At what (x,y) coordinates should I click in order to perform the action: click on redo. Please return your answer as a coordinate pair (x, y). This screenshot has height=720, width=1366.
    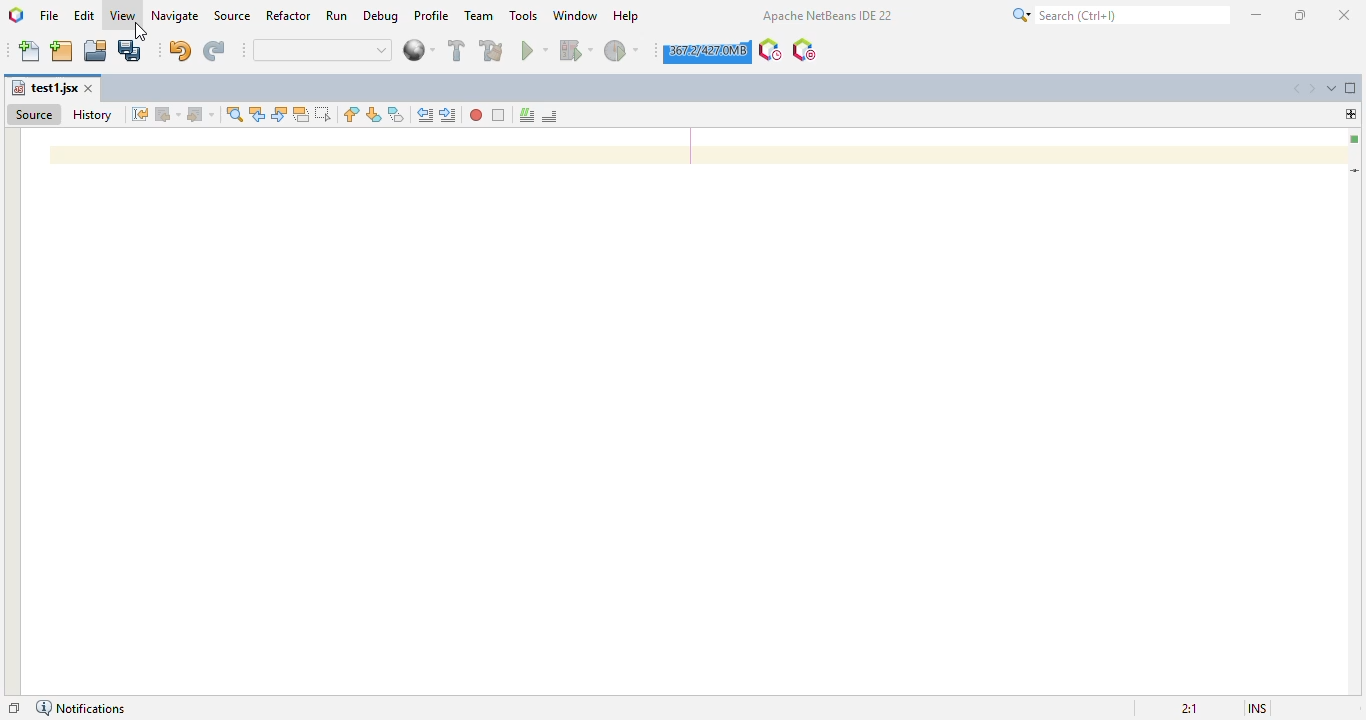
    Looking at the image, I should click on (217, 51).